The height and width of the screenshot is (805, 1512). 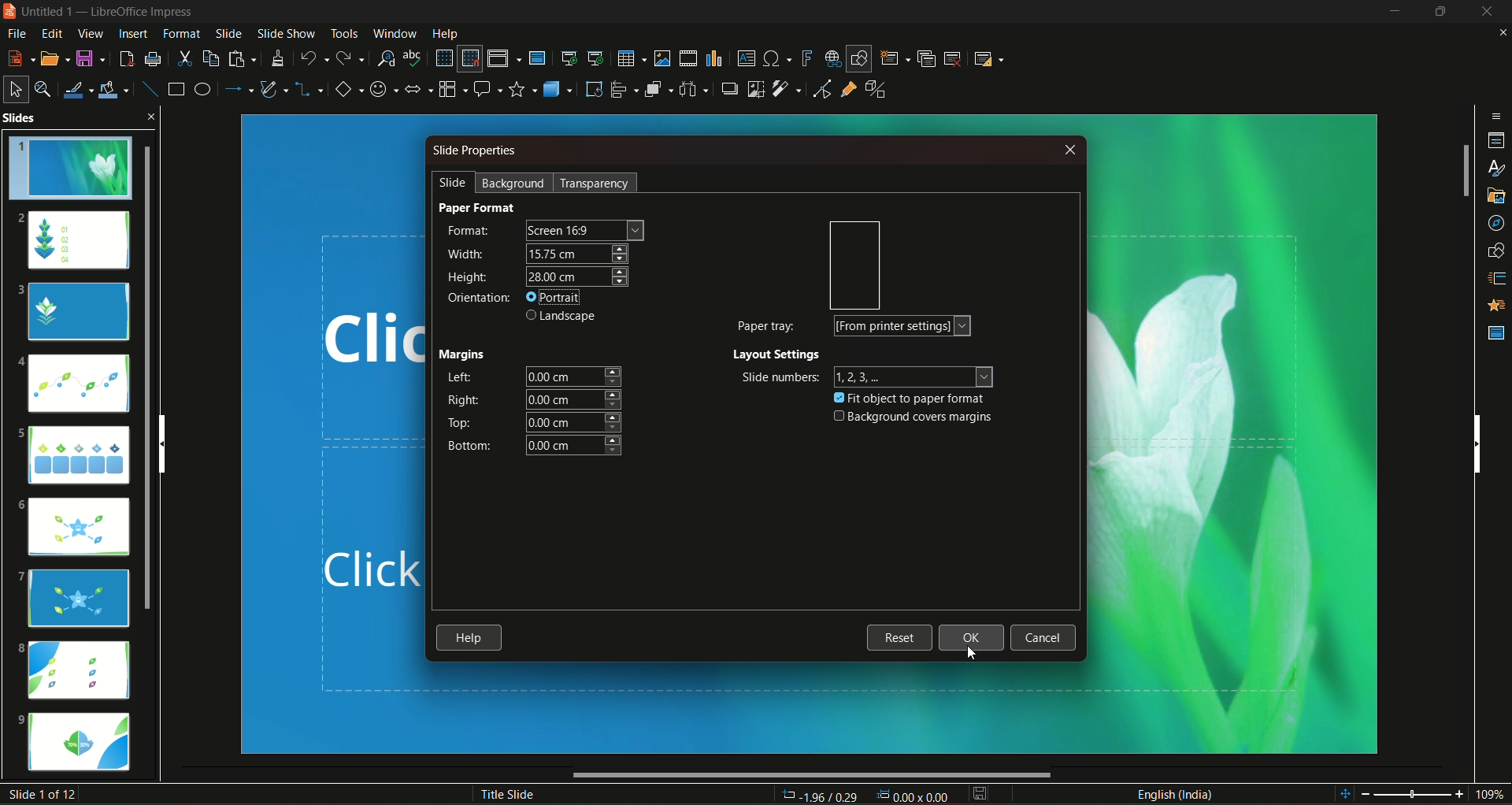 What do you see at coordinates (926, 57) in the screenshot?
I see `duplicate` at bounding box center [926, 57].